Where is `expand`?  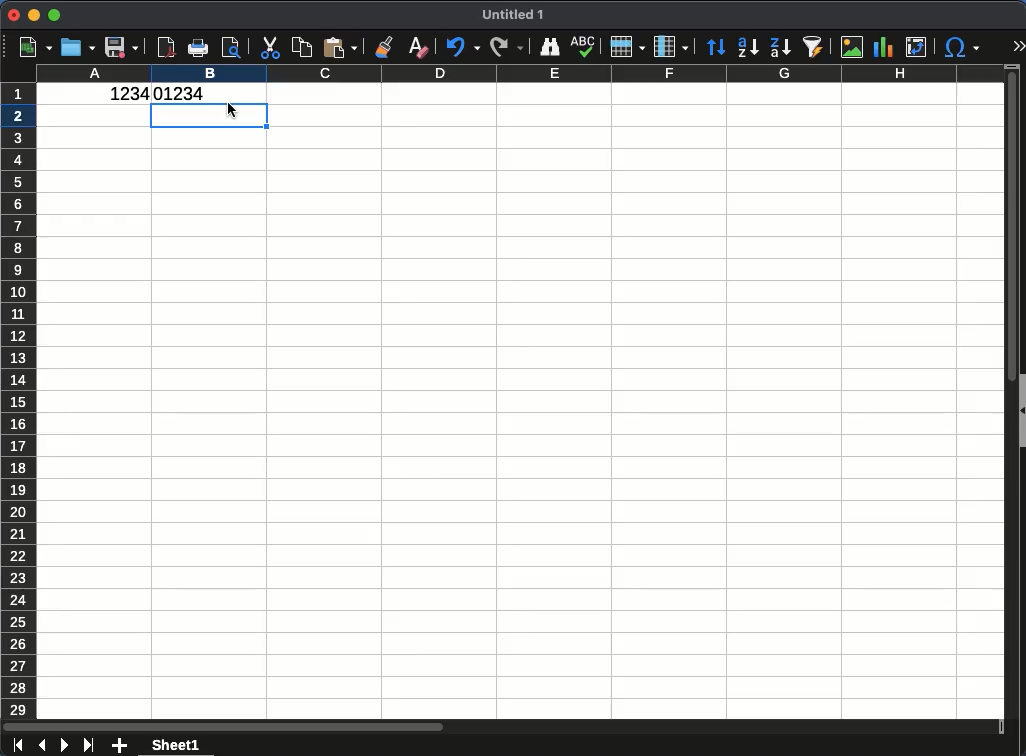
expand is located at coordinates (1017, 47).